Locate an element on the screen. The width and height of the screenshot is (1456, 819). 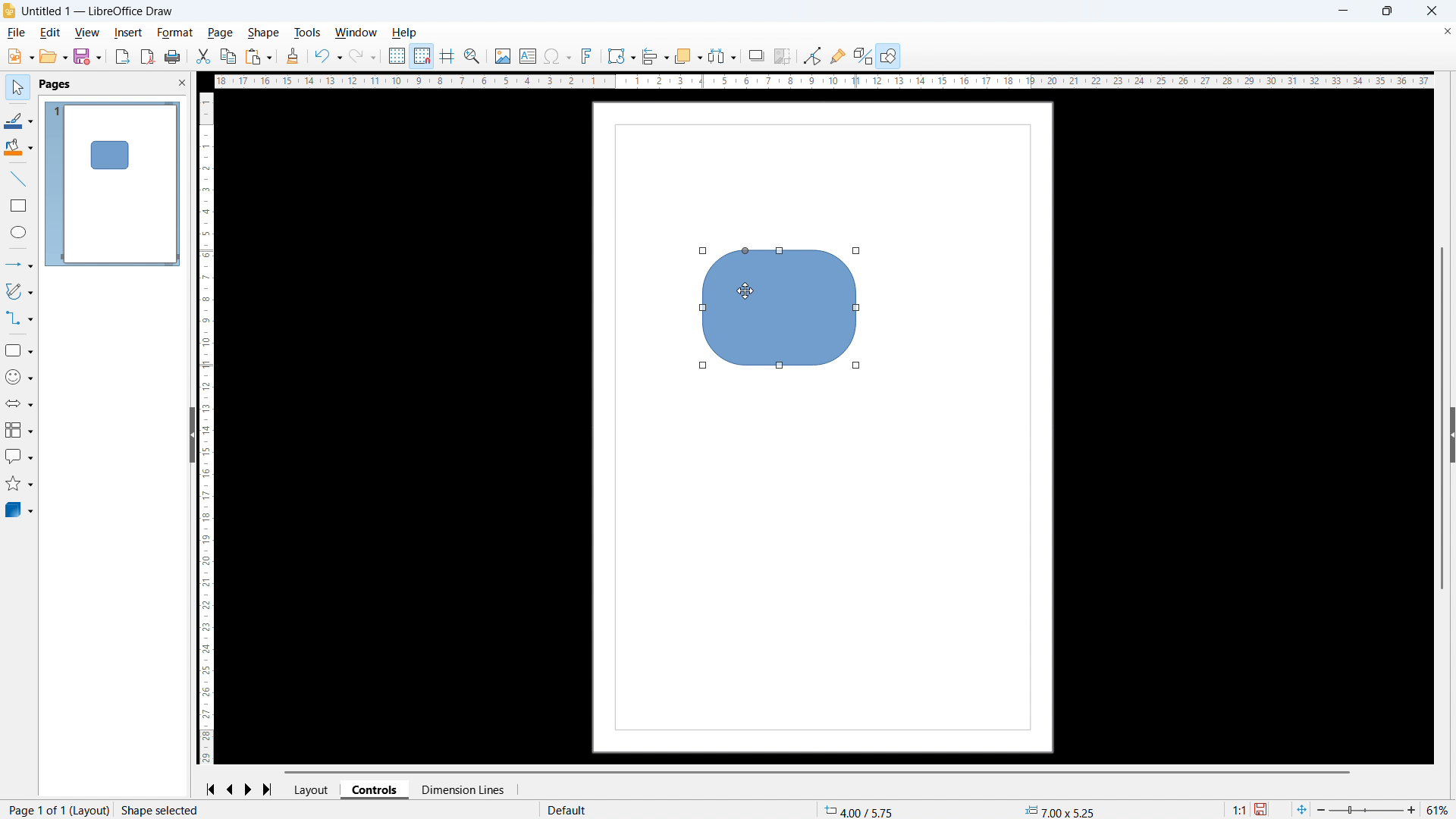
Shape selected is located at coordinates (162, 810).